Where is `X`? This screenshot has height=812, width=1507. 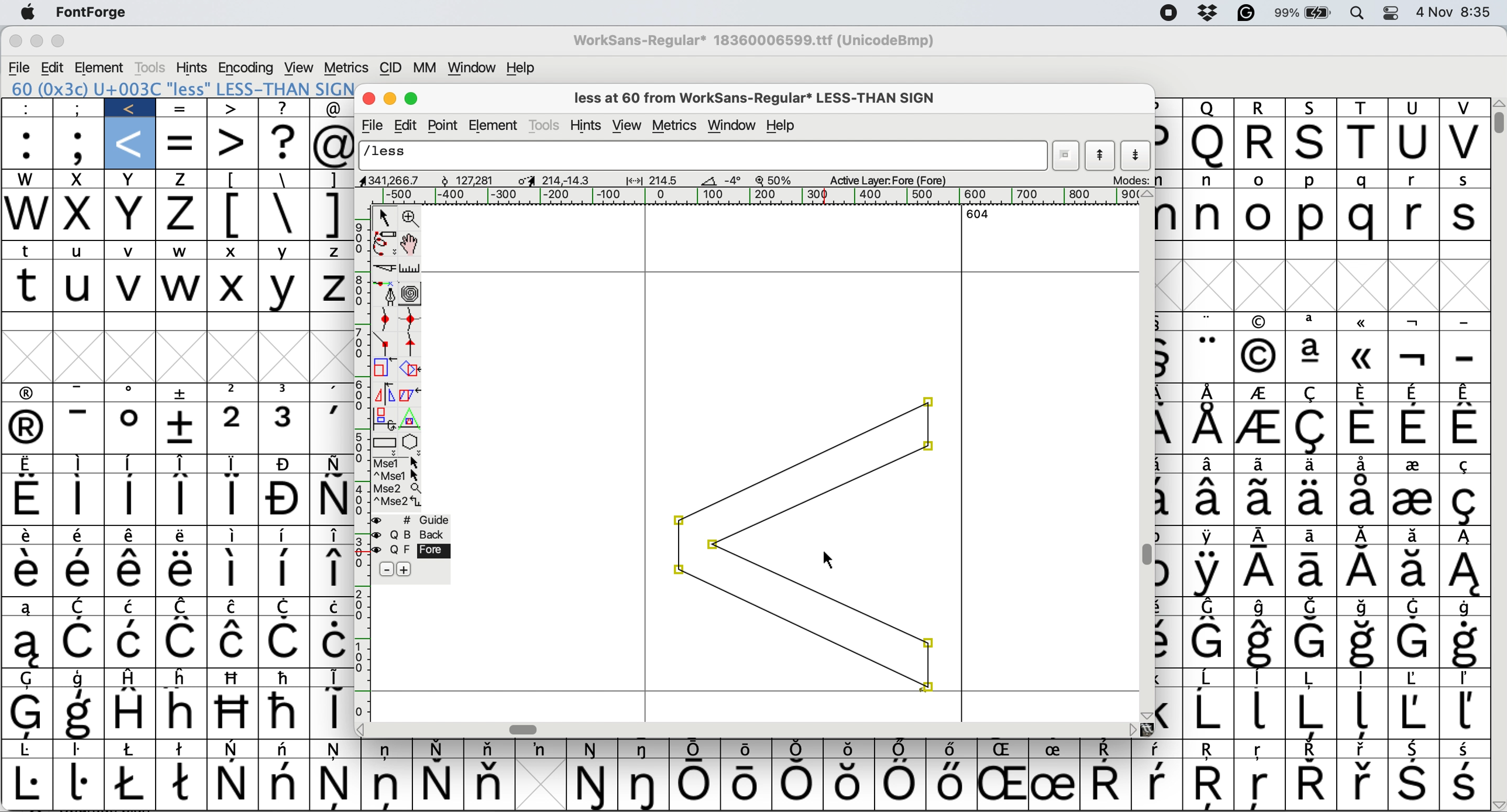 X is located at coordinates (232, 287).